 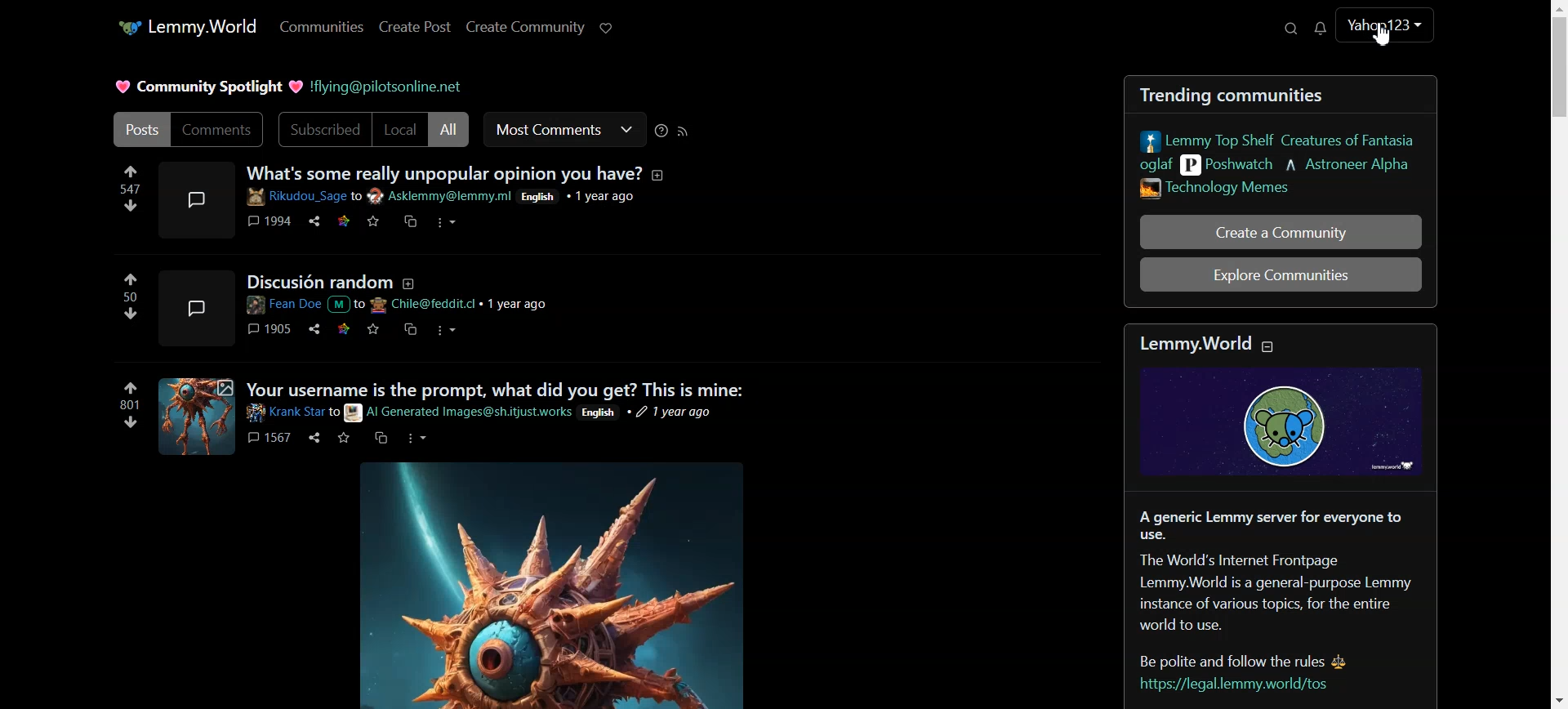 I want to click on Create Post, so click(x=416, y=27).